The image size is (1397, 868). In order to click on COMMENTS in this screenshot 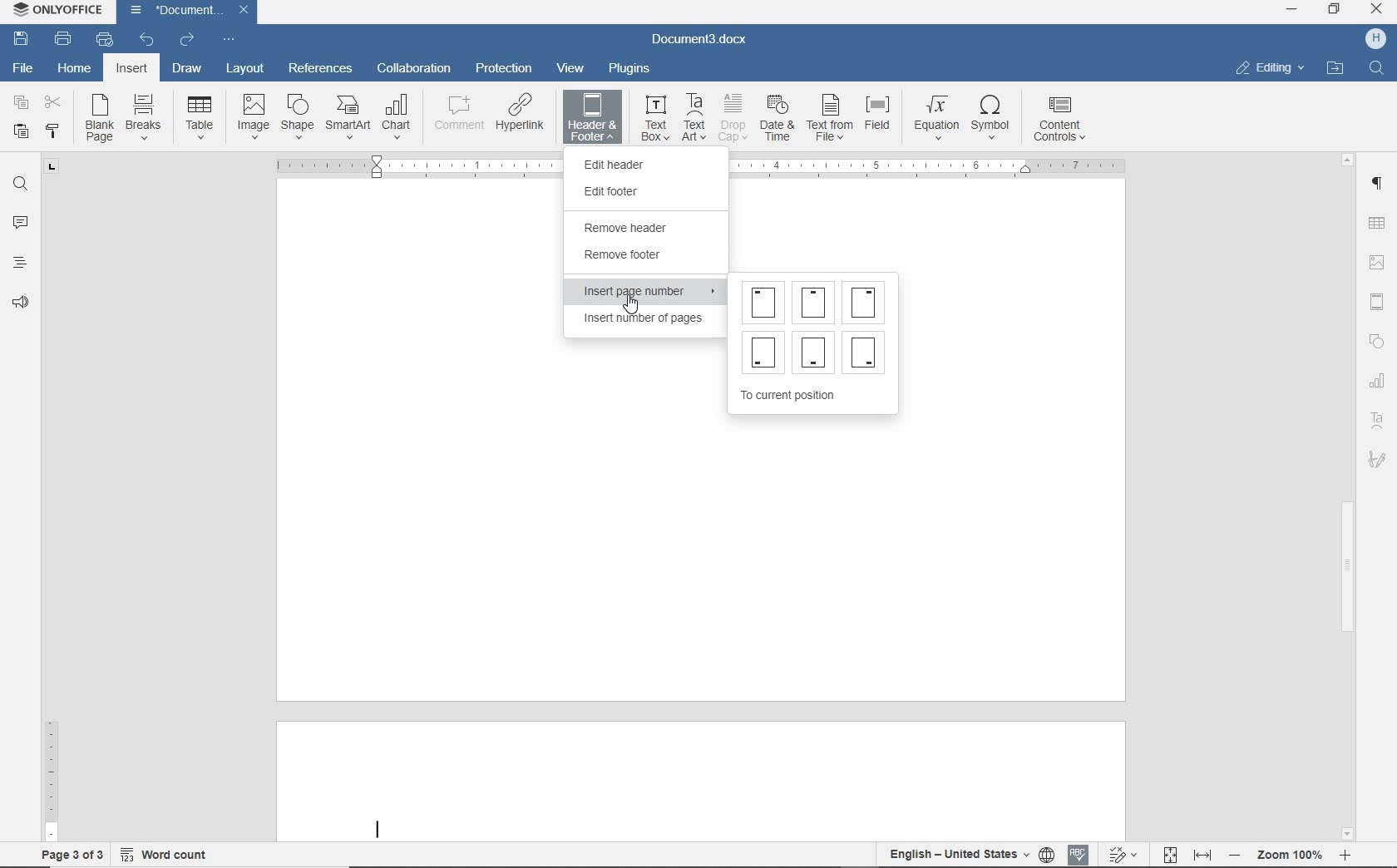, I will do `click(20, 221)`.